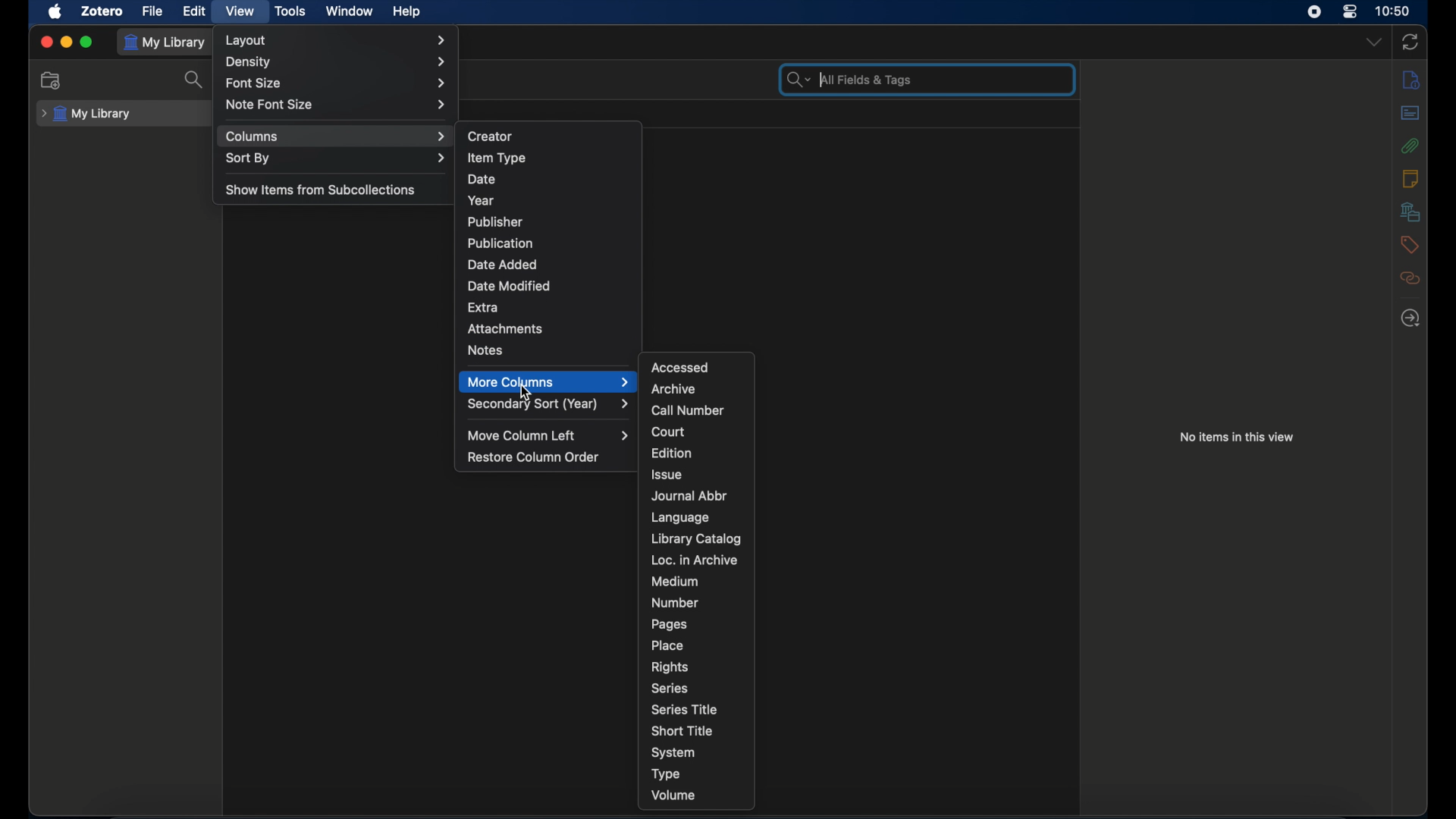  Describe the element at coordinates (195, 11) in the screenshot. I see `edit` at that location.